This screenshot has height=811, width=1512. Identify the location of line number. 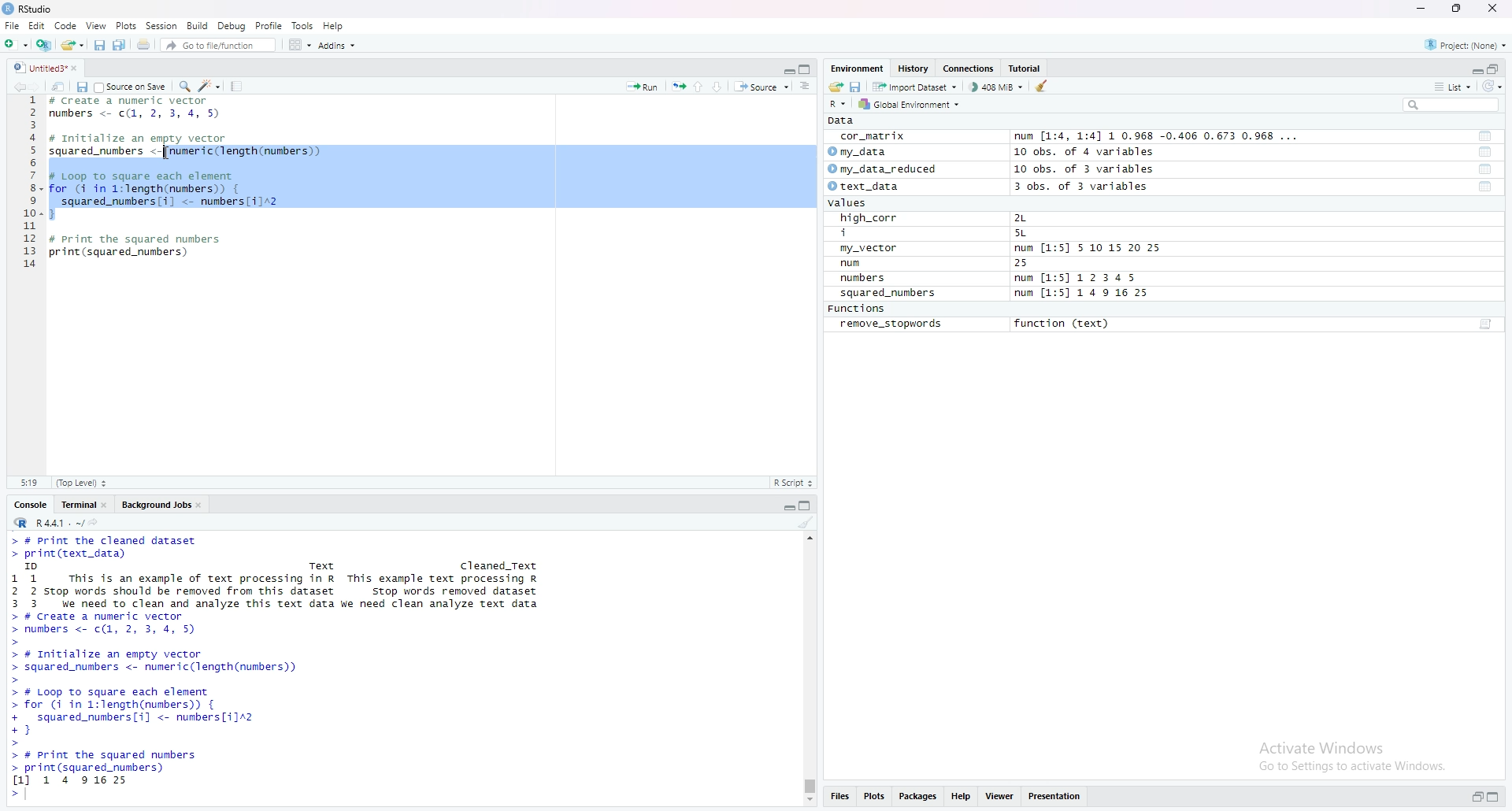
(31, 187).